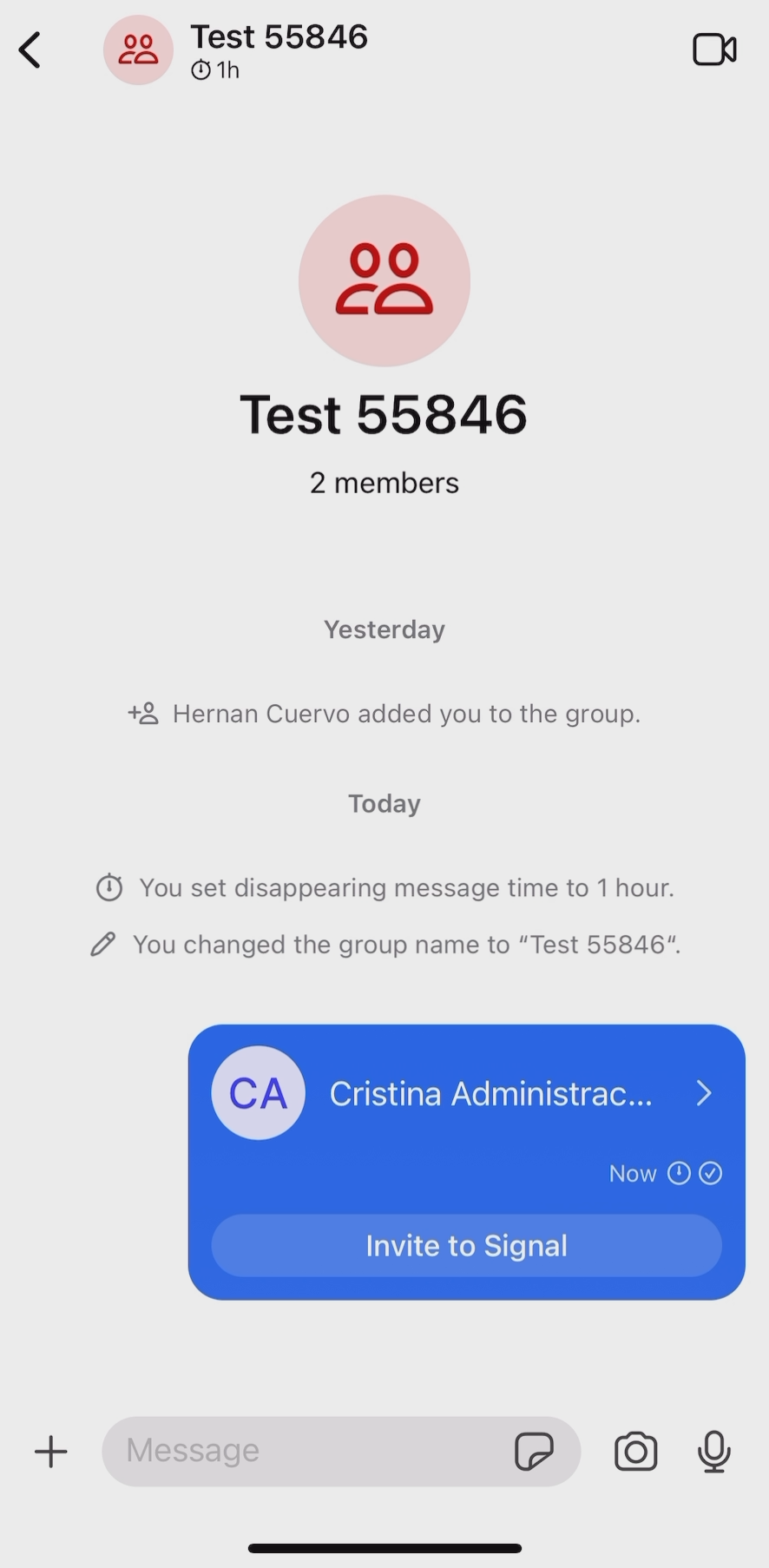 Image resolution: width=769 pixels, height=1568 pixels. I want to click on / You changed the group name to “Test 55846"., so click(381, 951).